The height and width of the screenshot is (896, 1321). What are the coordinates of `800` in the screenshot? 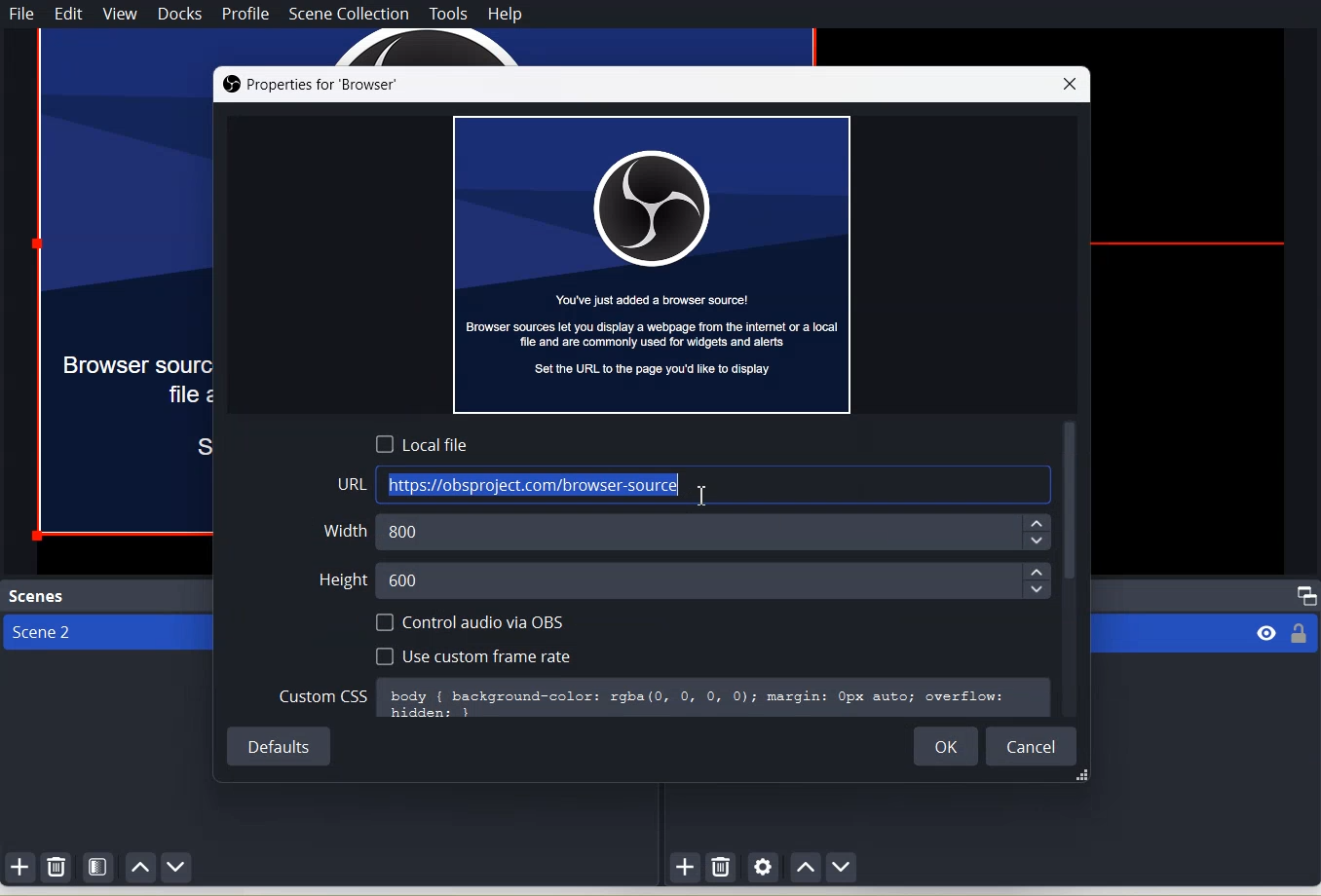 It's located at (721, 533).